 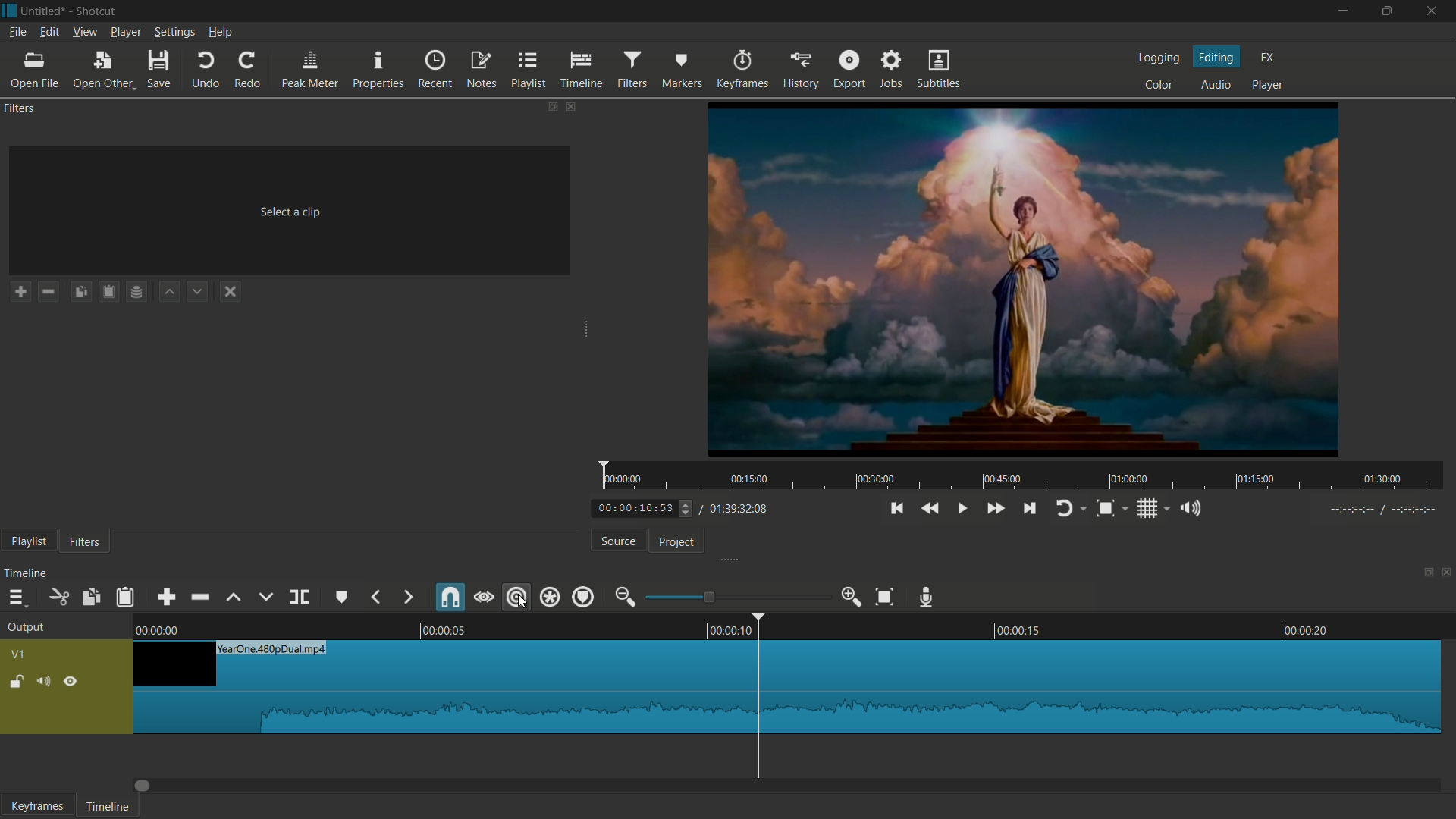 What do you see at coordinates (1064, 510) in the screenshot?
I see `toggle player looping` at bounding box center [1064, 510].